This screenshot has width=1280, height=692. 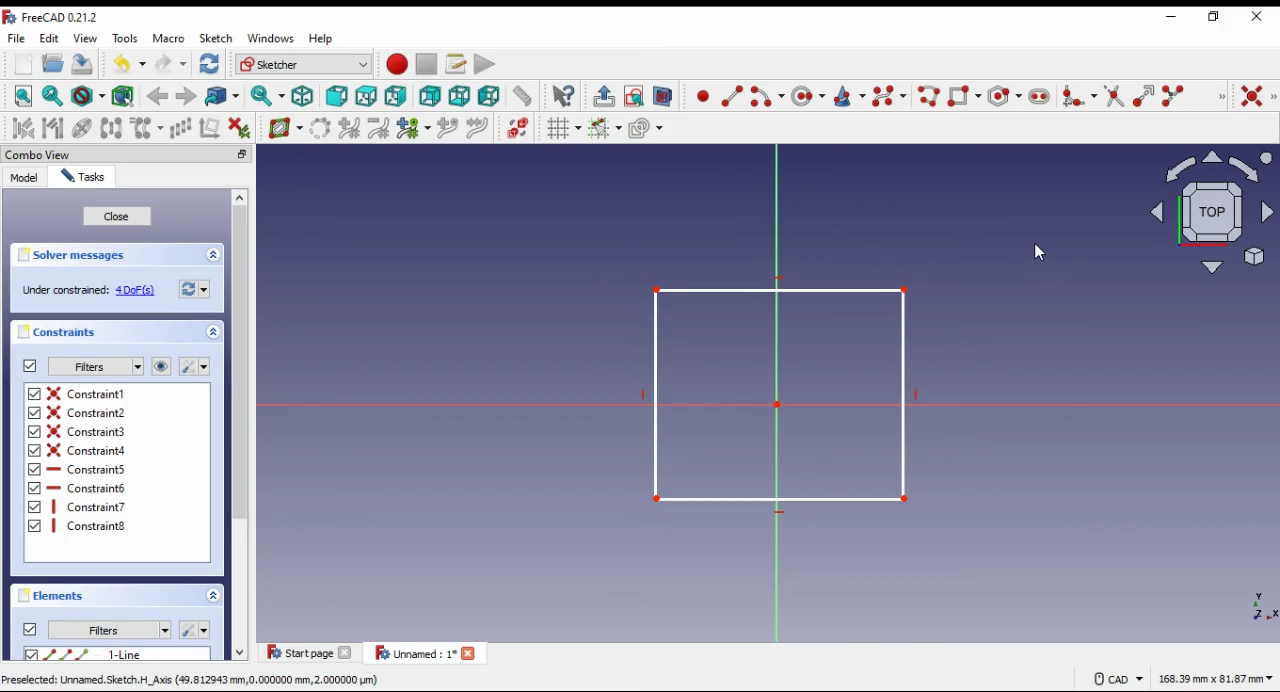 I want to click on constraints, so click(x=62, y=333).